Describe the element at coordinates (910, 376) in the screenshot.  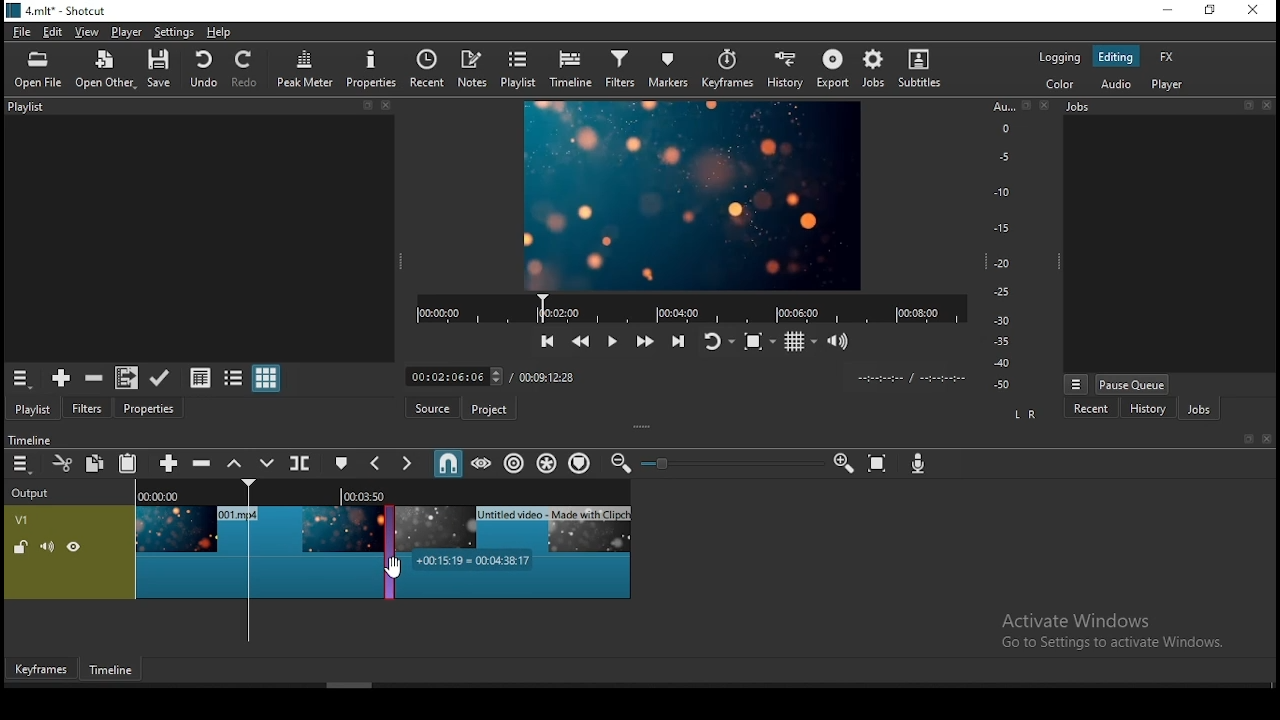
I see `time format` at that location.